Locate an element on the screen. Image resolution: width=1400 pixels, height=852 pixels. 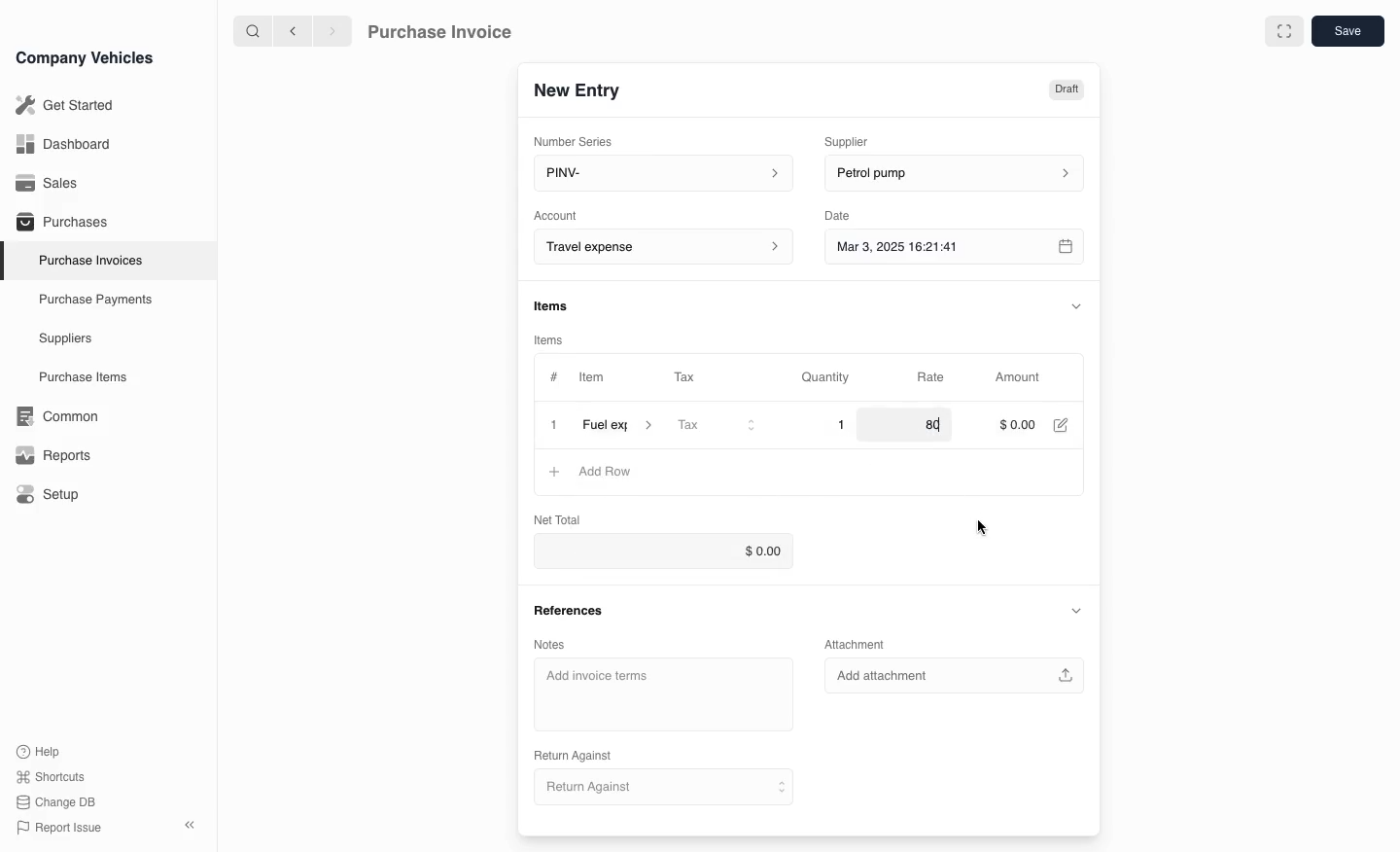
Number Series is located at coordinates (579, 139).